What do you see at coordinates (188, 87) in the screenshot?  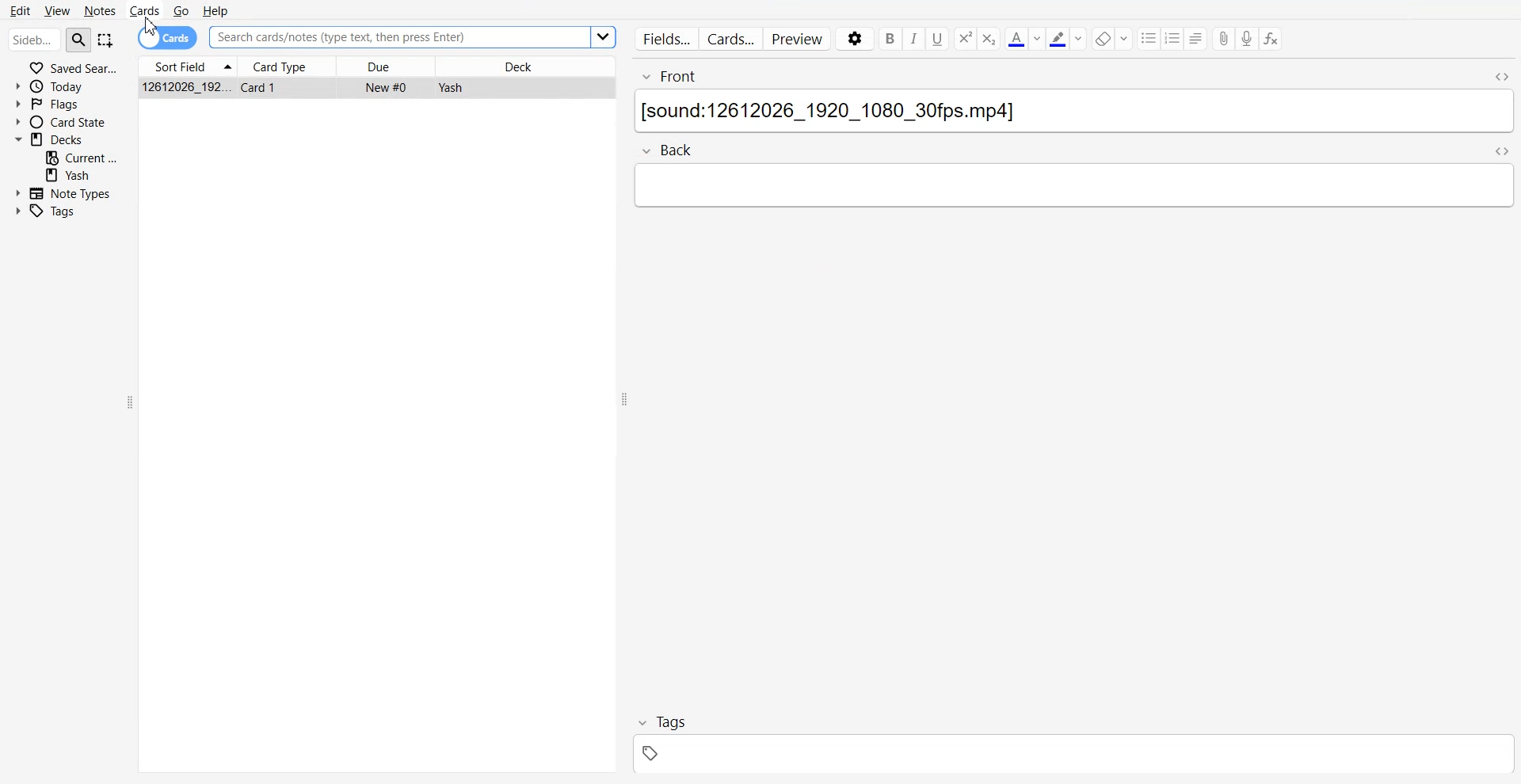 I see `12612026_192` at bounding box center [188, 87].